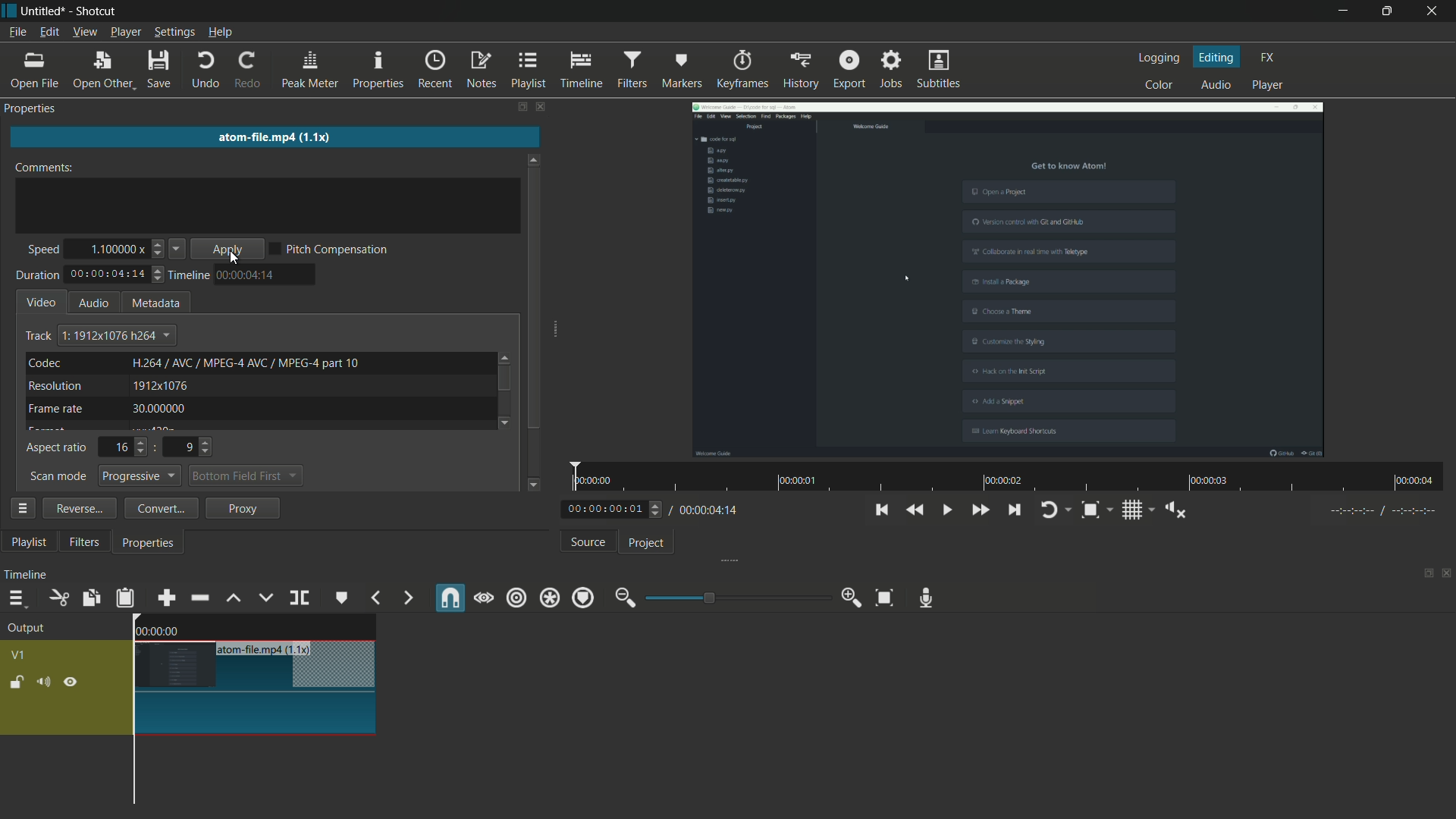  Describe the element at coordinates (504, 379) in the screenshot. I see `scroll bar` at that location.